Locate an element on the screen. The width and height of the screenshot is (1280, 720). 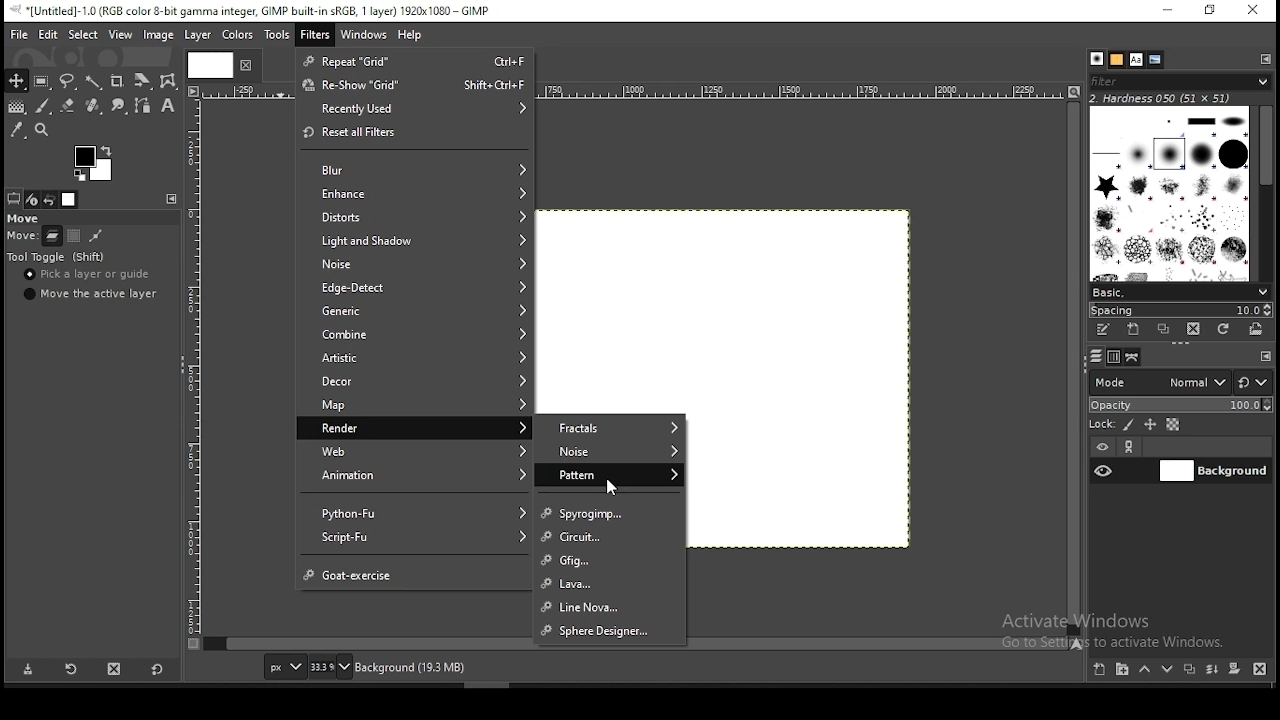
sphere designer is located at coordinates (610, 632).